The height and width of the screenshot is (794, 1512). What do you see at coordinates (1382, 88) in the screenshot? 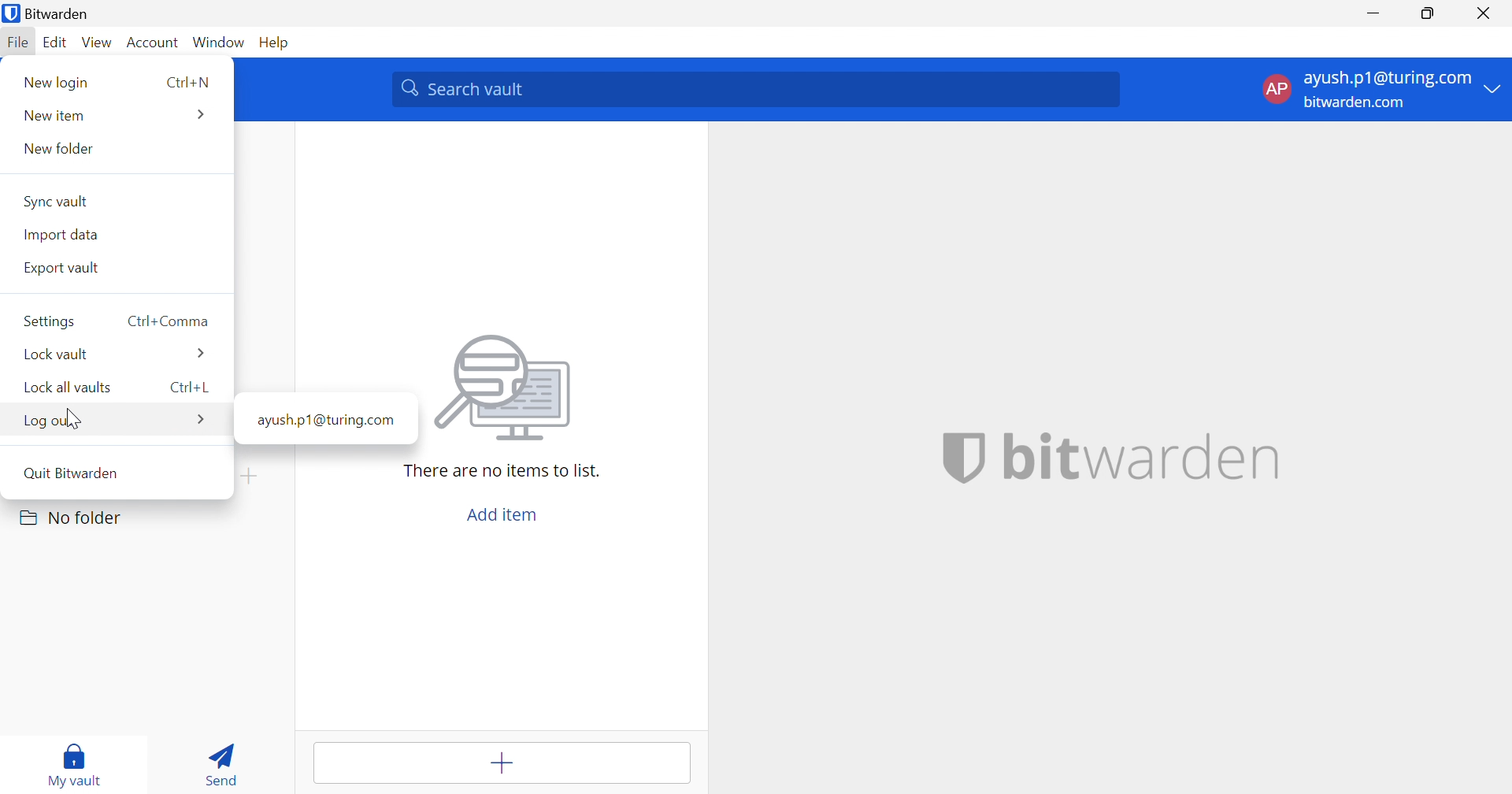
I see `account options` at bounding box center [1382, 88].